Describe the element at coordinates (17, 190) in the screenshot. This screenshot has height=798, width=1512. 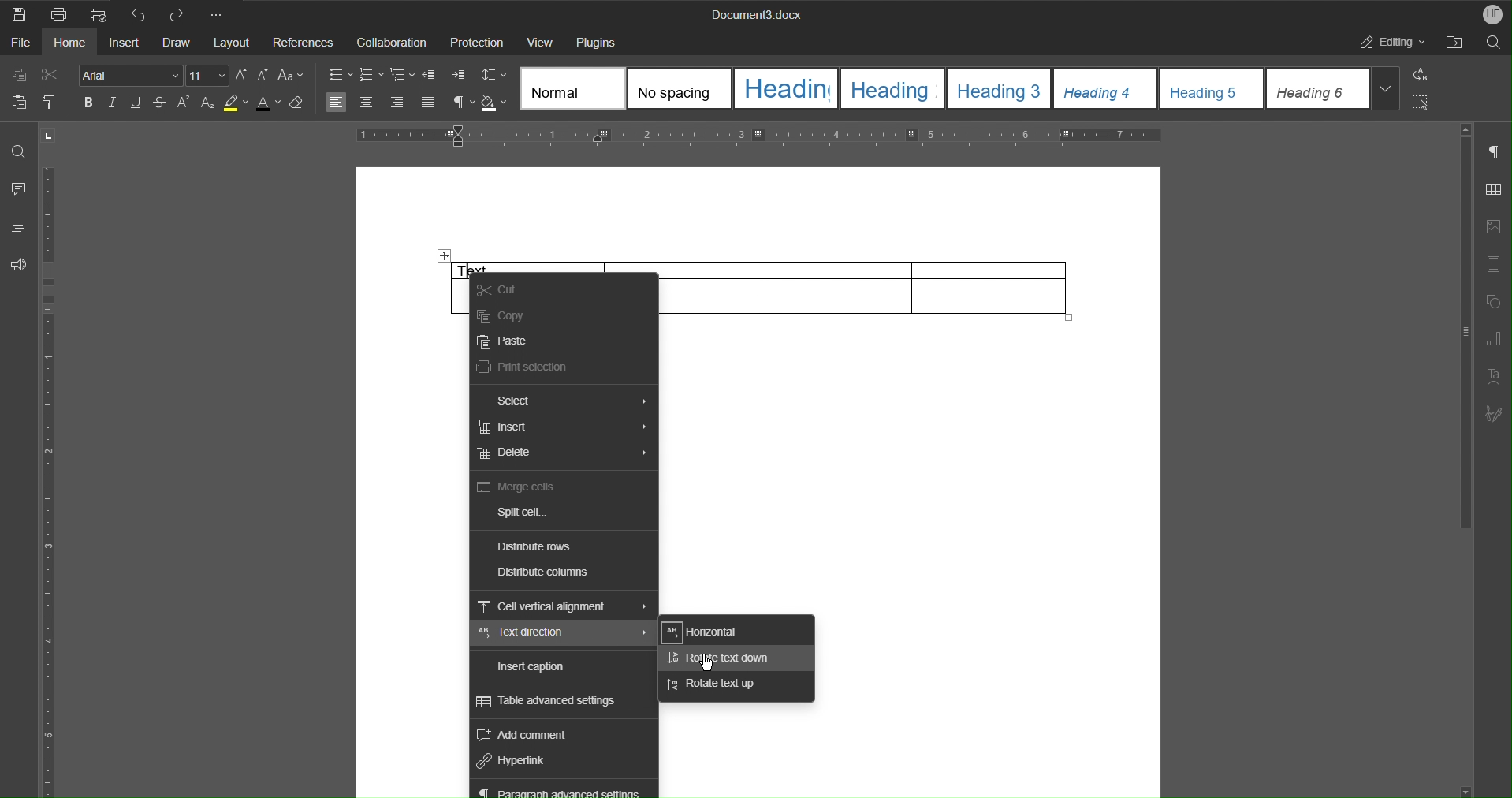
I see `Comment` at that location.